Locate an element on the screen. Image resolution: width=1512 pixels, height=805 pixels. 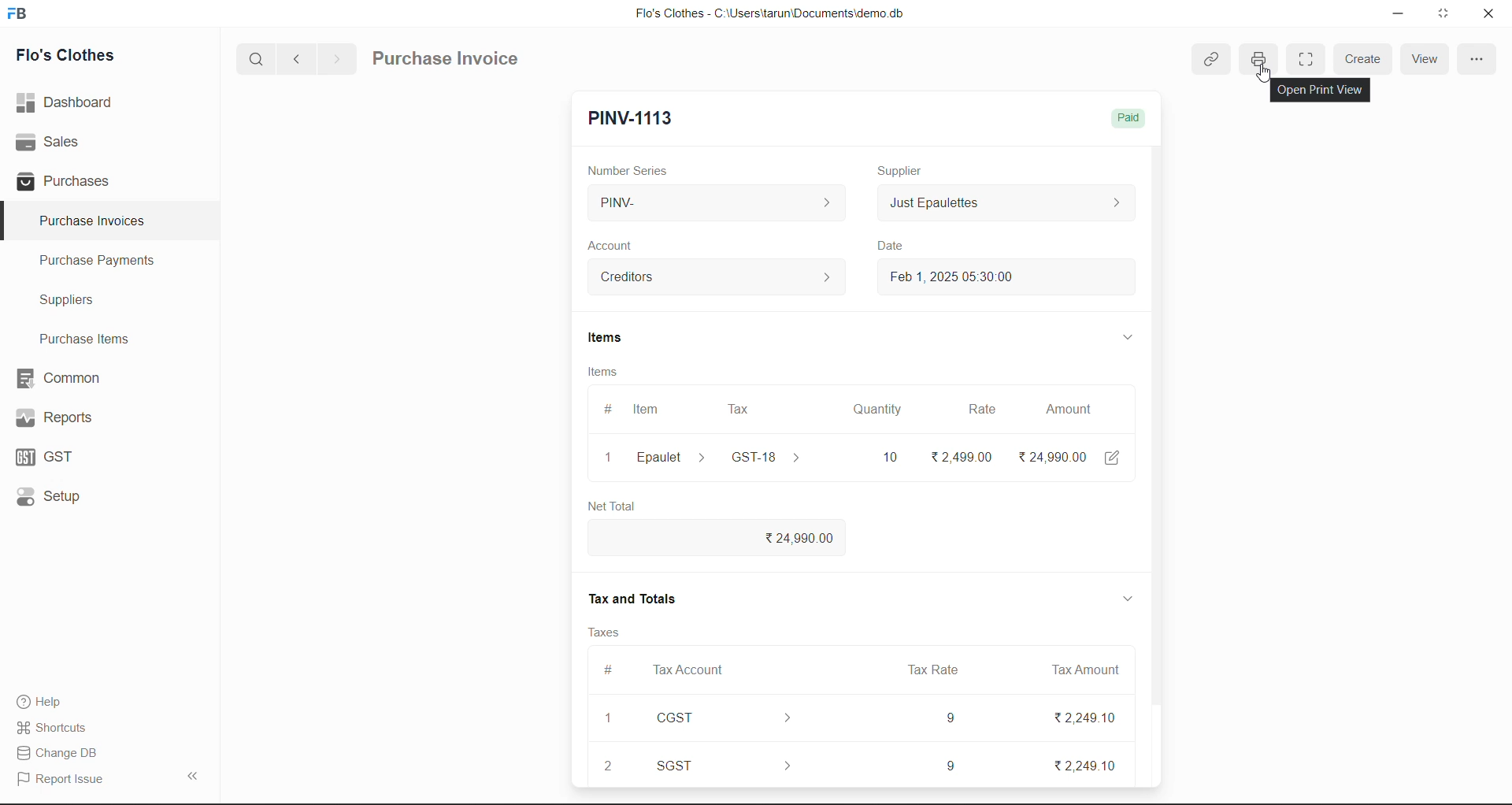
search is located at coordinates (258, 58).